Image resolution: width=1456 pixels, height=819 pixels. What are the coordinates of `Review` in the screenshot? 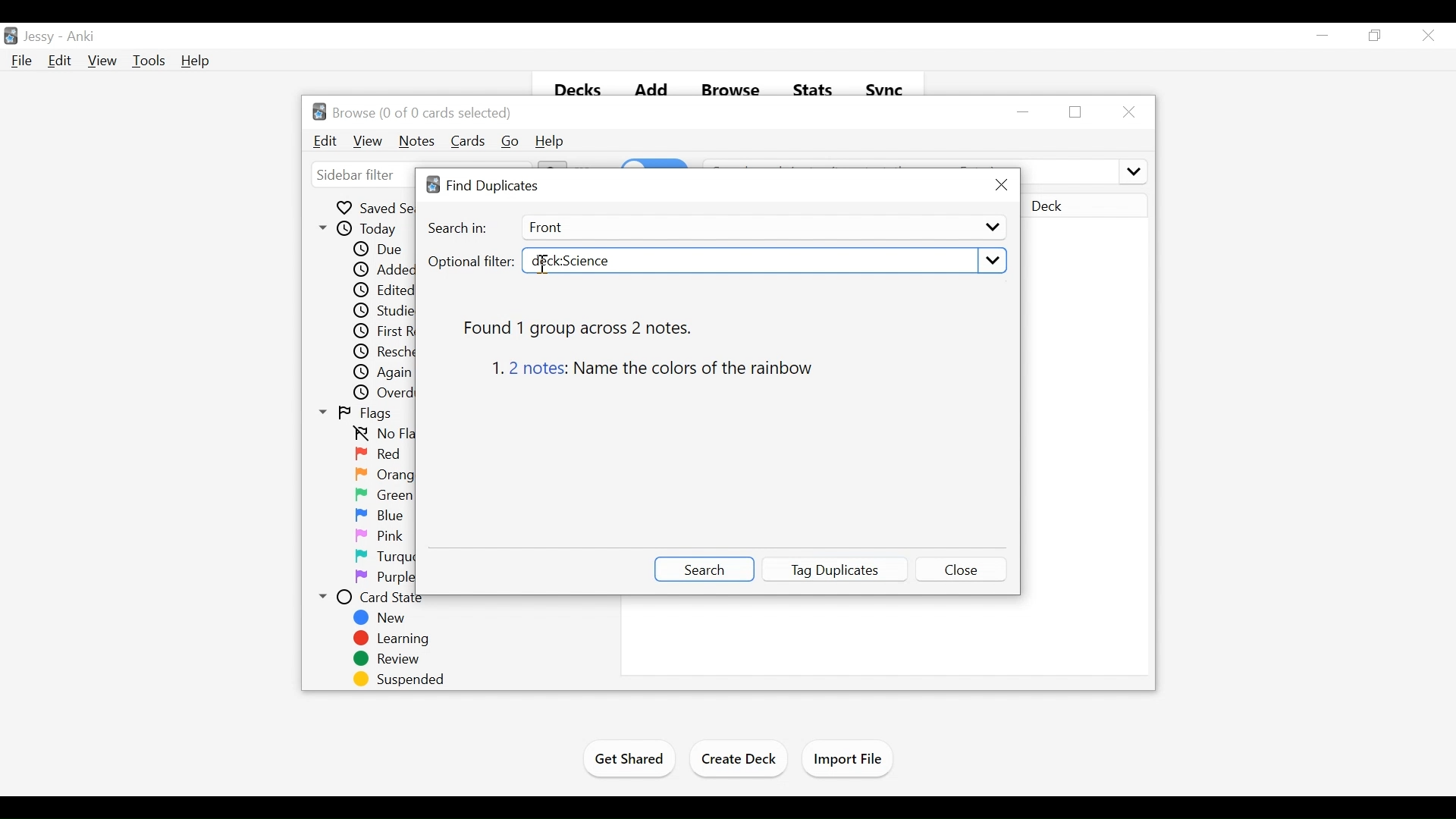 It's located at (386, 660).